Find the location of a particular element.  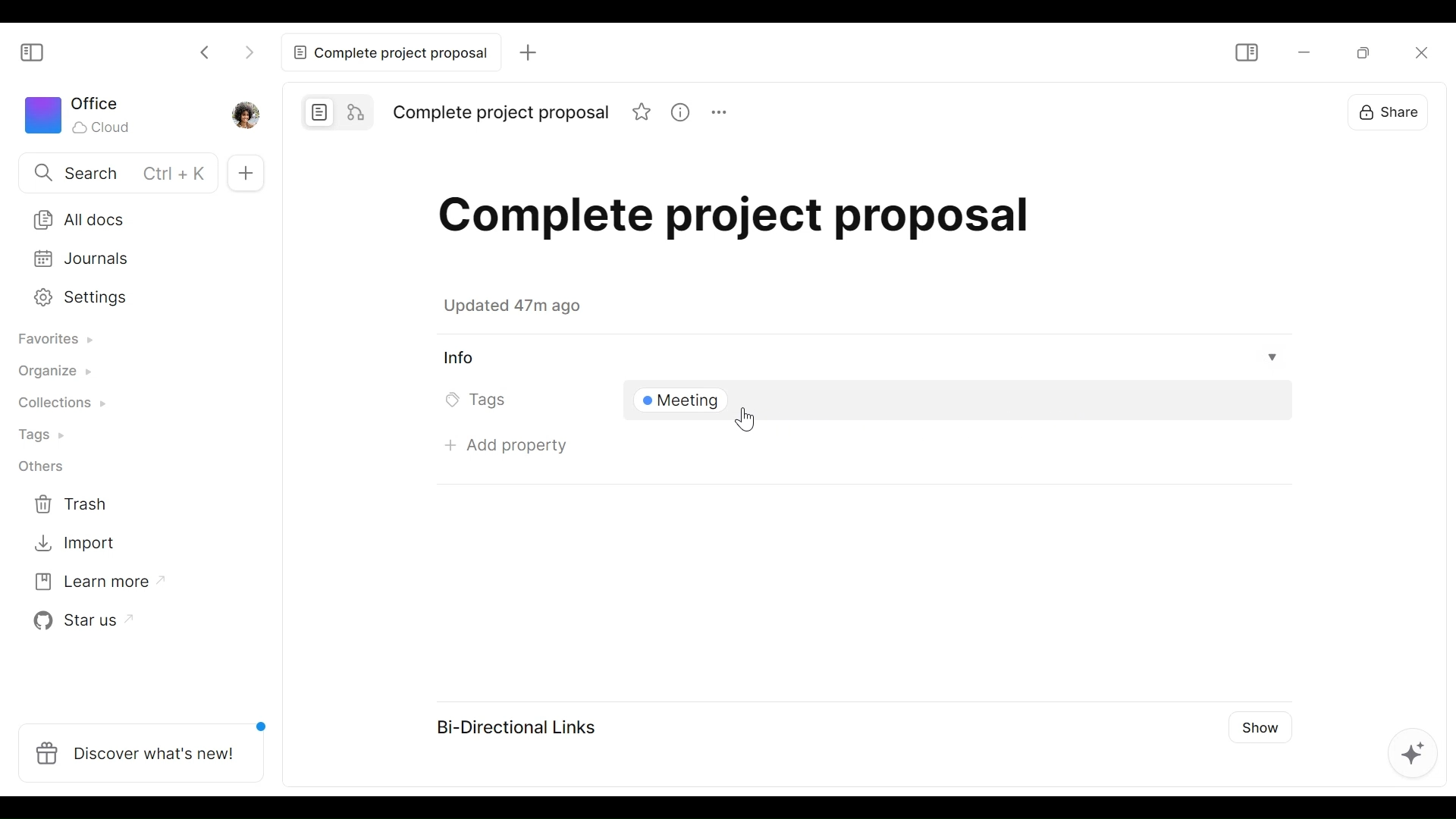

Organize is located at coordinates (58, 374).